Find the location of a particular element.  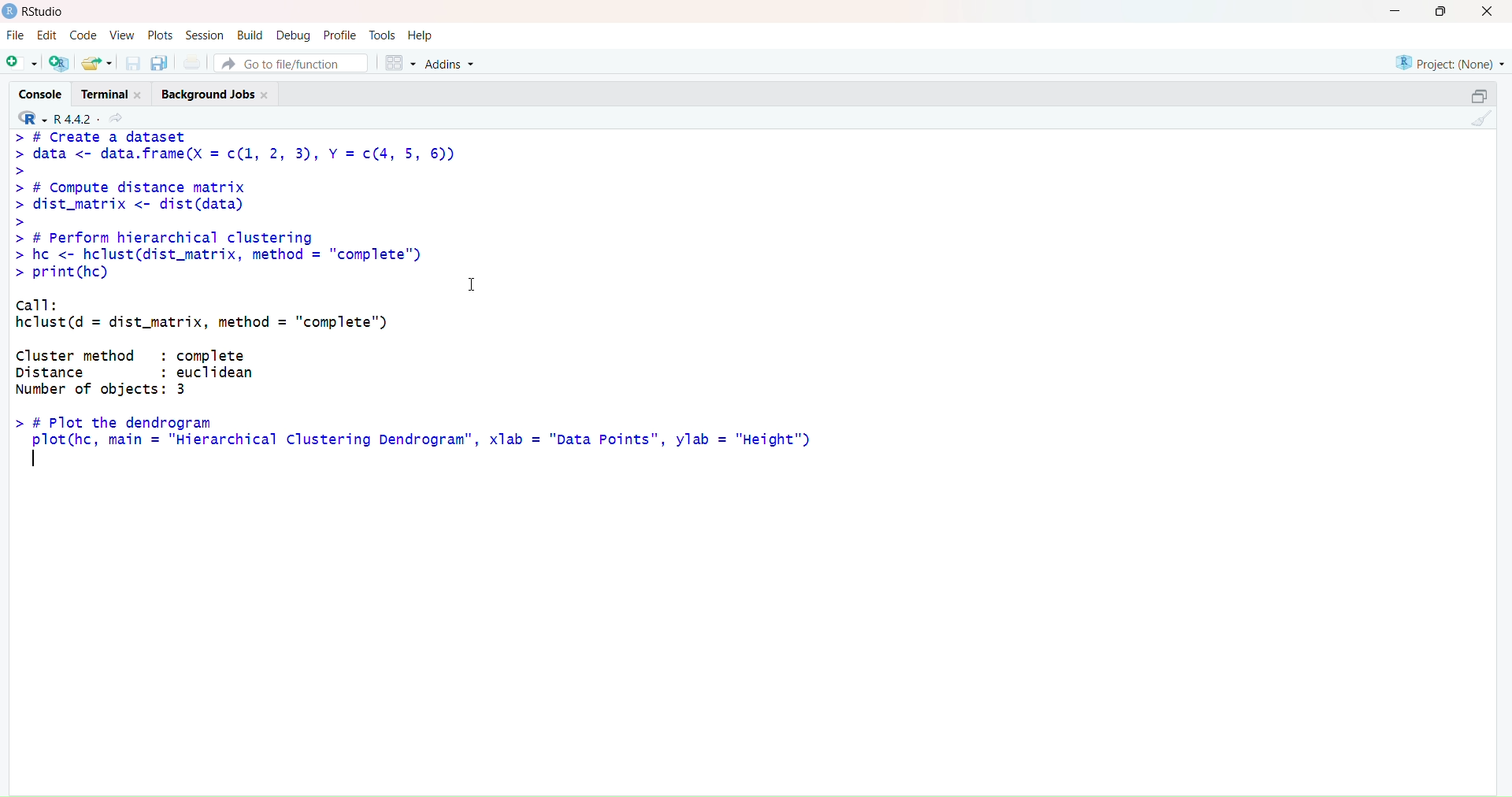

Build is located at coordinates (250, 36).